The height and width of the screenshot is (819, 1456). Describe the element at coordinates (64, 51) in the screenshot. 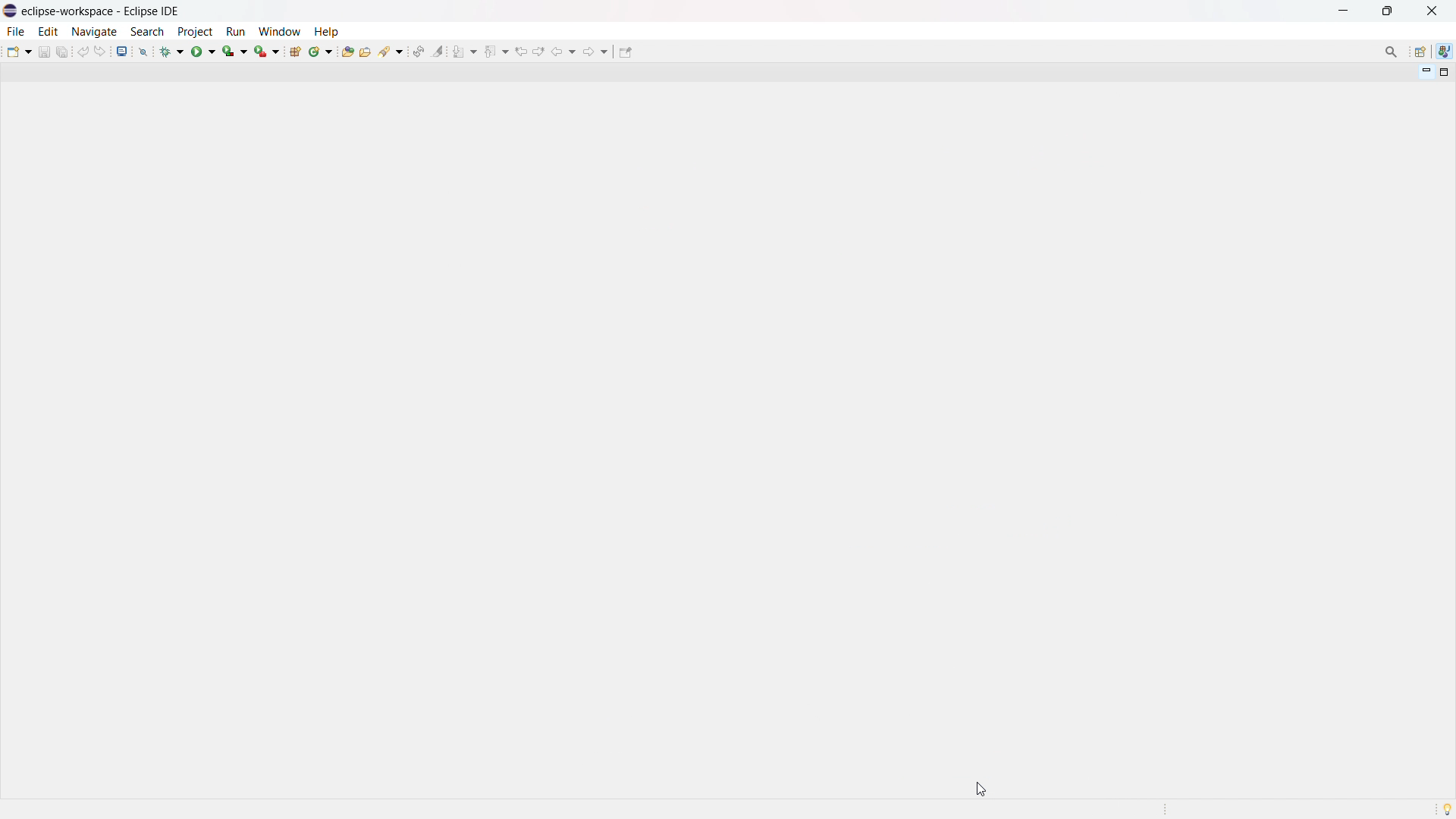

I see `save all` at that location.